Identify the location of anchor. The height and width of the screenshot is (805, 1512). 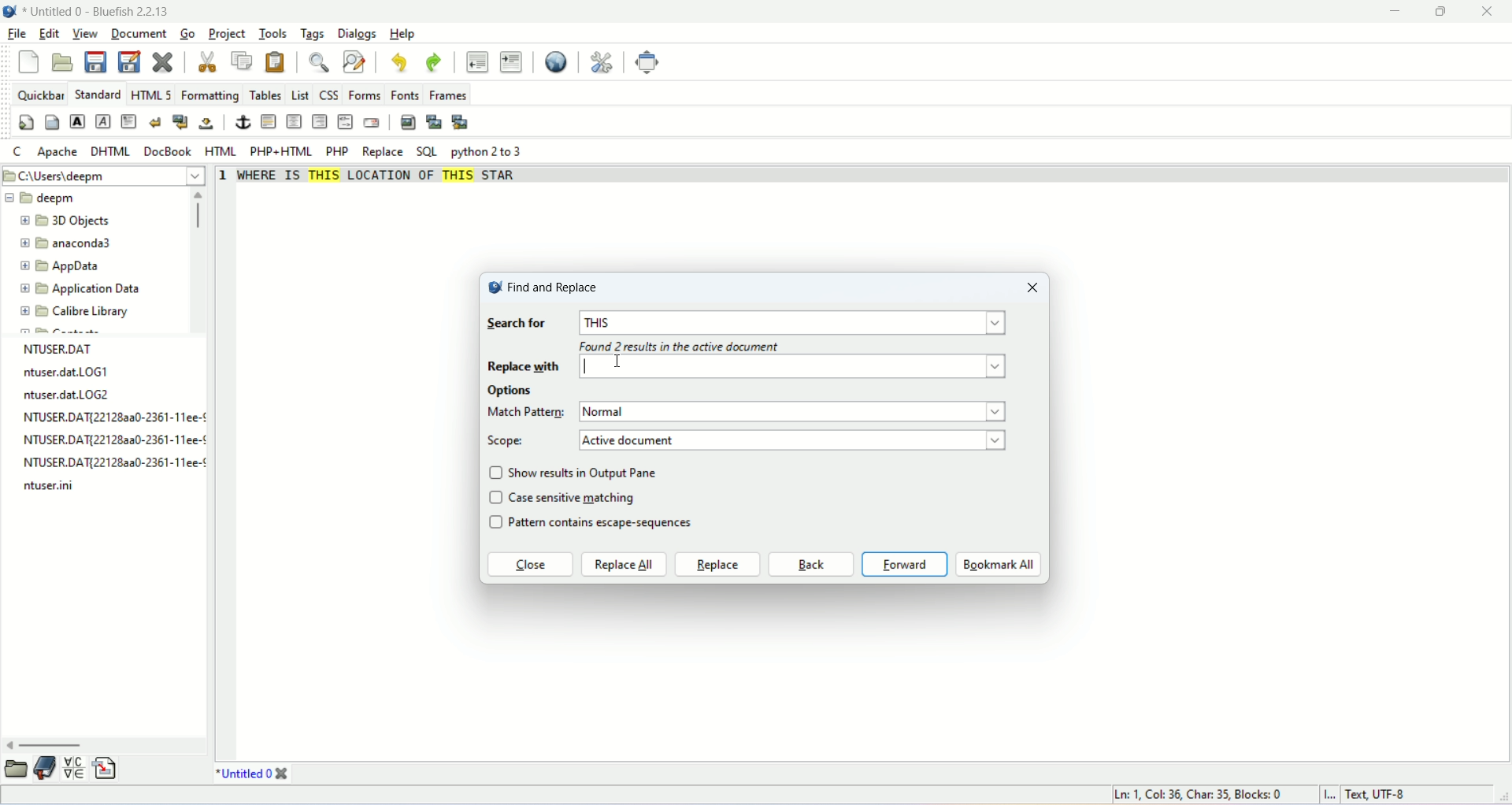
(242, 122).